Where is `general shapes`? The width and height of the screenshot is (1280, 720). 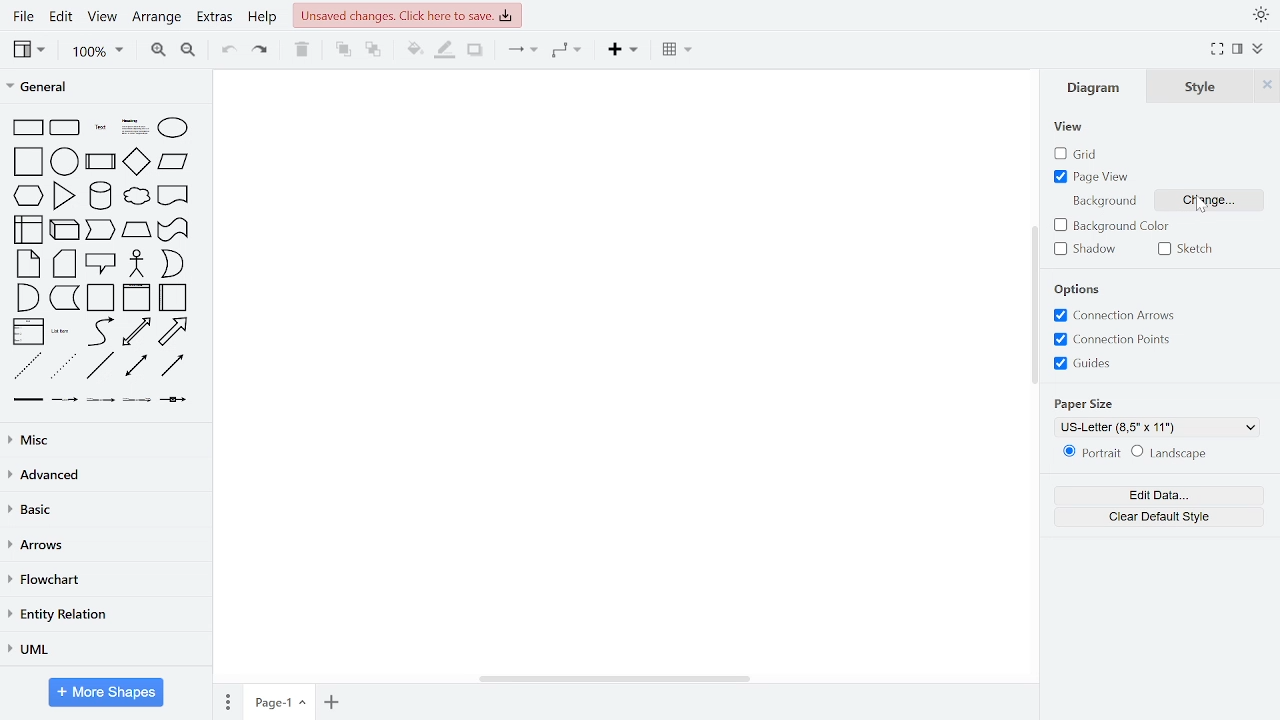
general shapes is located at coordinates (134, 228).